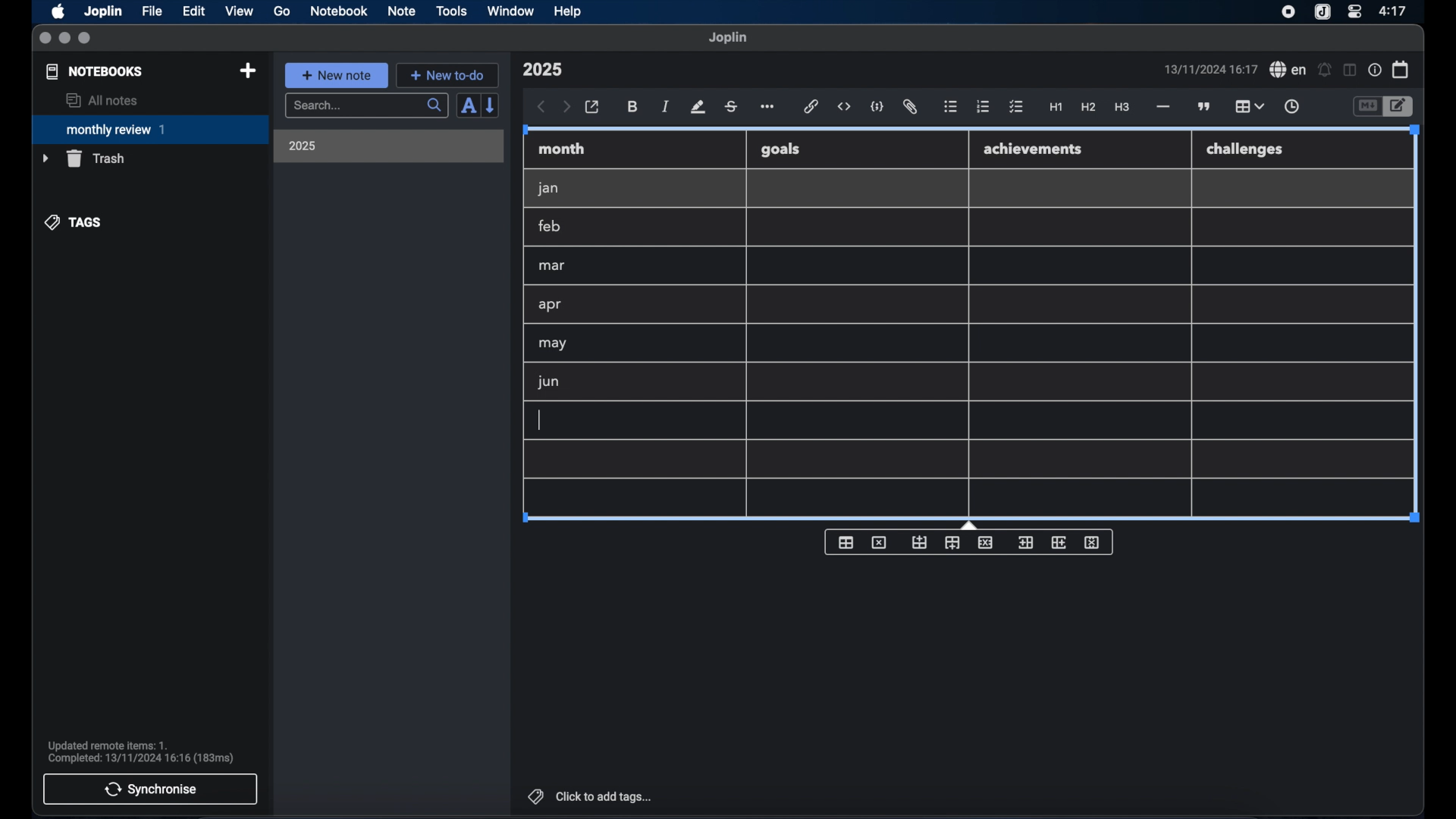 This screenshot has height=819, width=1456. Describe the element at coordinates (769, 108) in the screenshot. I see `more options` at that location.